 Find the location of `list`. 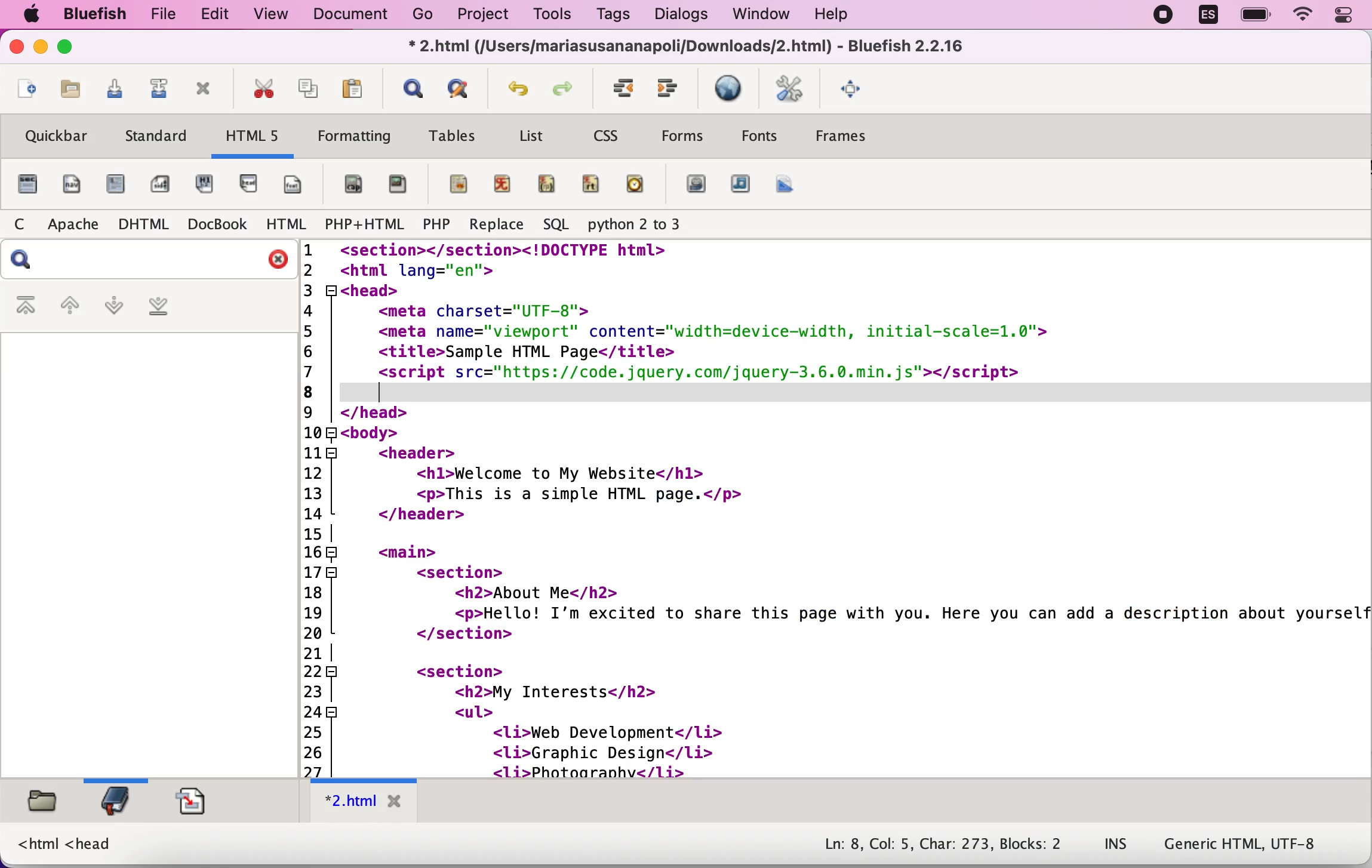

list is located at coordinates (536, 135).